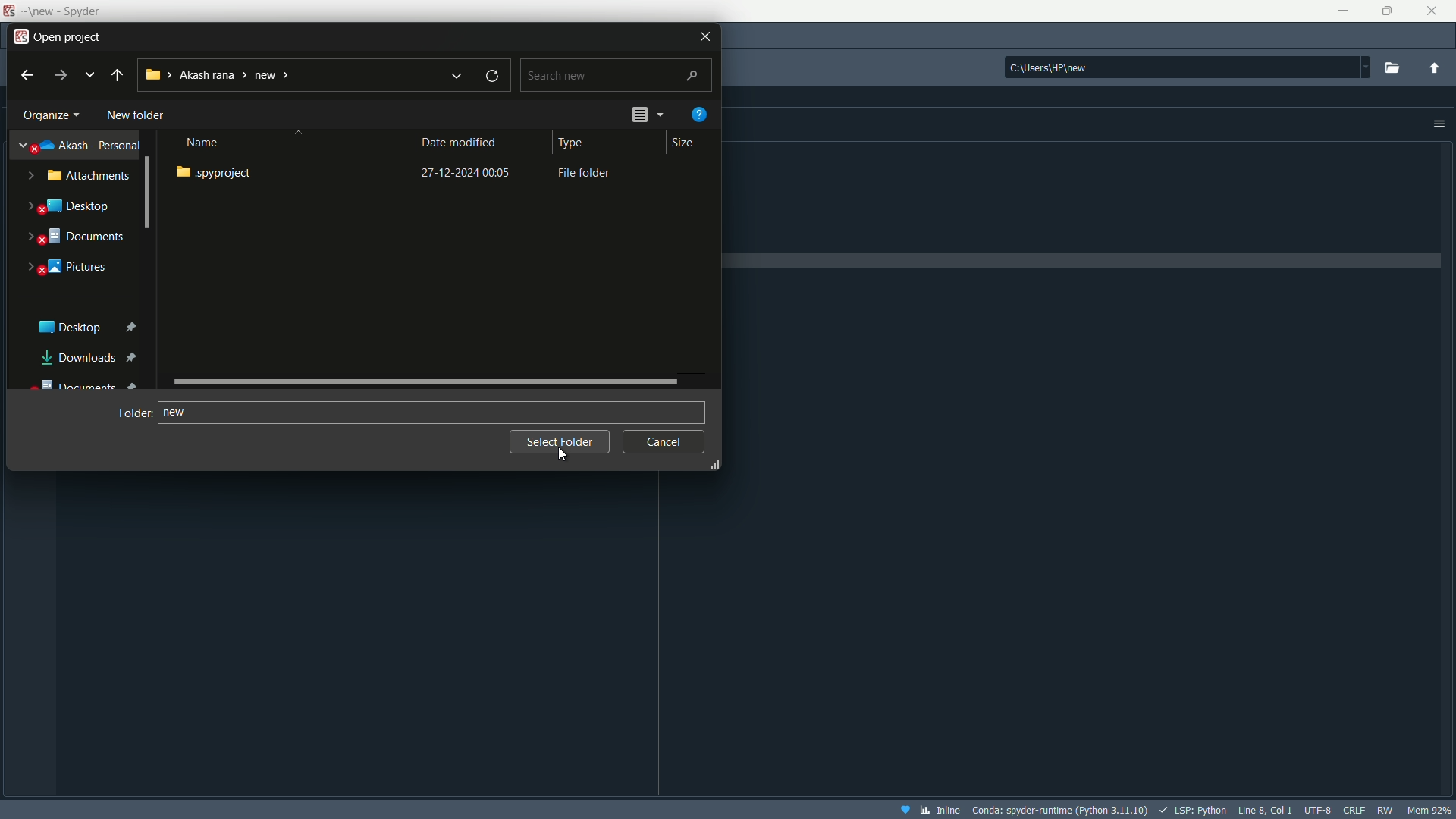 The height and width of the screenshot is (819, 1456). I want to click on desktop, so click(84, 326).